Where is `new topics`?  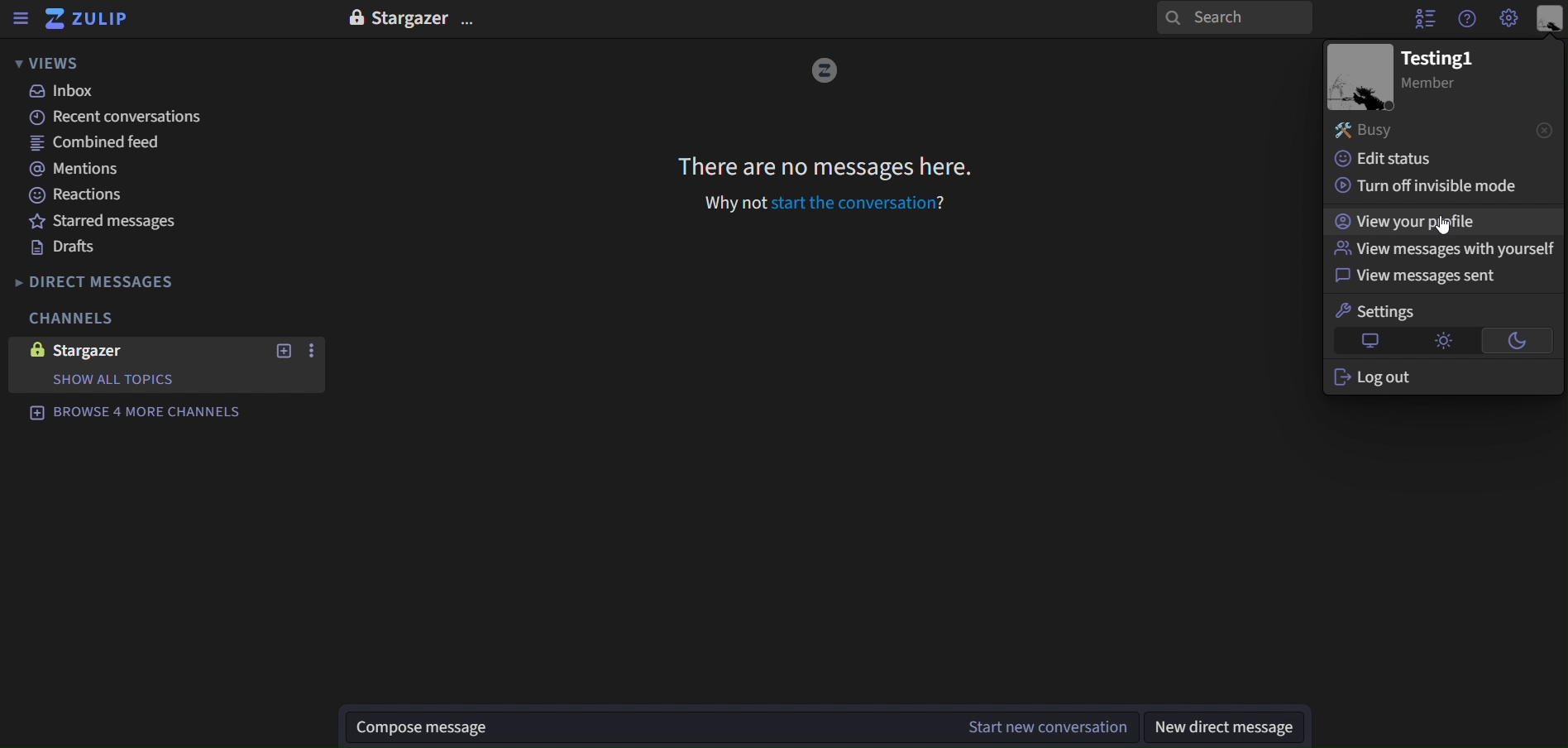 new topics is located at coordinates (283, 351).